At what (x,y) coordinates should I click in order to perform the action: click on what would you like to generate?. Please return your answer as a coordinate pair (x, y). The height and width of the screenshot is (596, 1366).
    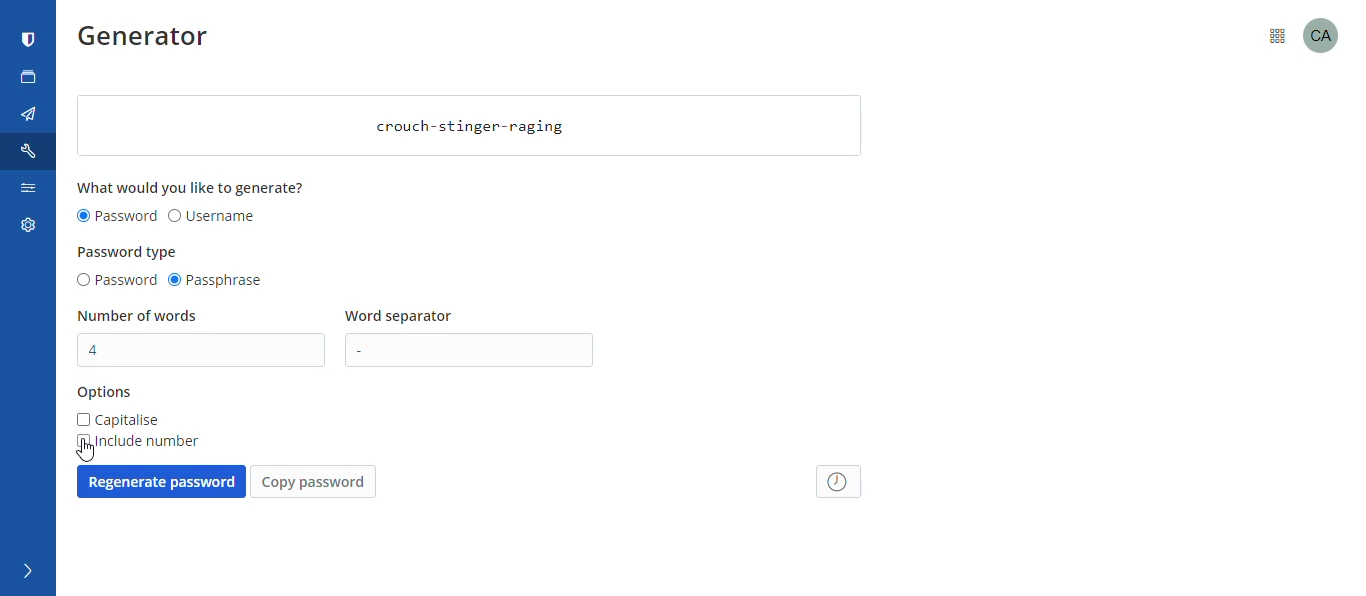
    Looking at the image, I should click on (193, 187).